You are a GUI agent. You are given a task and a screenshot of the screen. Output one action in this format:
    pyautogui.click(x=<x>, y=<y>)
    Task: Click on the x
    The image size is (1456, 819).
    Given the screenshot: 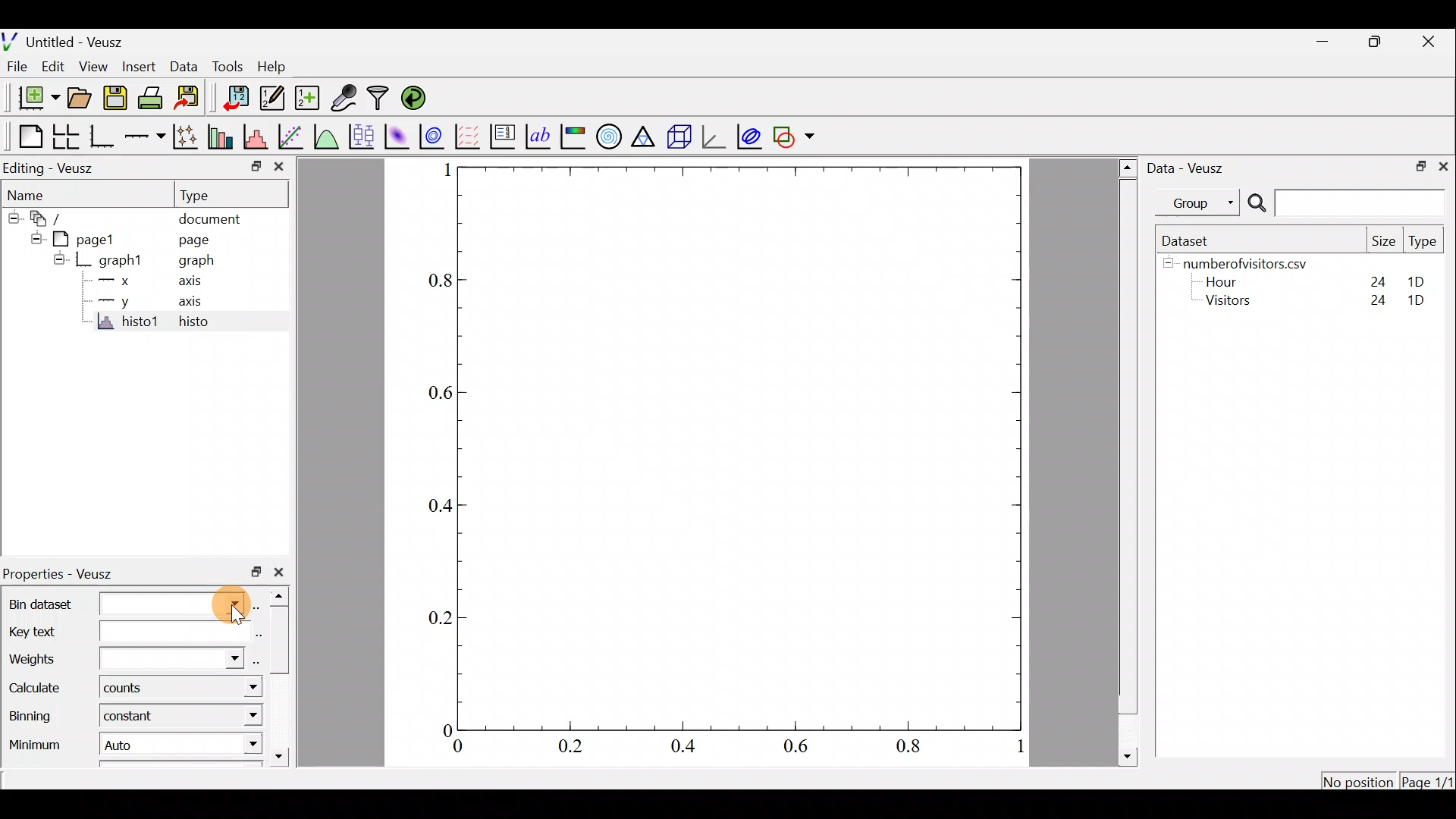 What is the action you would take?
    pyautogui.click(x=124, y=280)
    